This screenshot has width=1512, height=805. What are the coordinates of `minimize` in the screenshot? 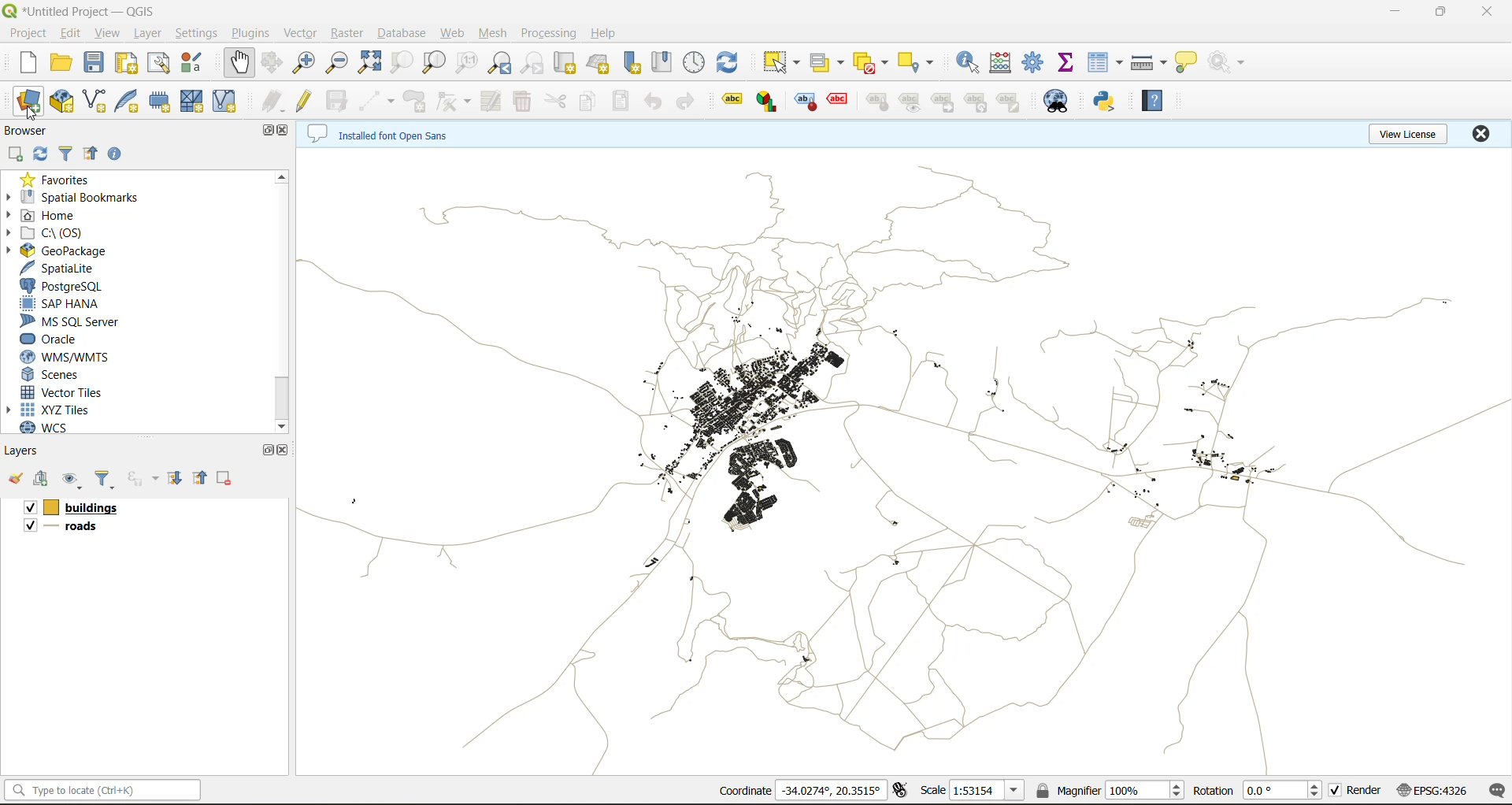 It's located at (1395, 11).